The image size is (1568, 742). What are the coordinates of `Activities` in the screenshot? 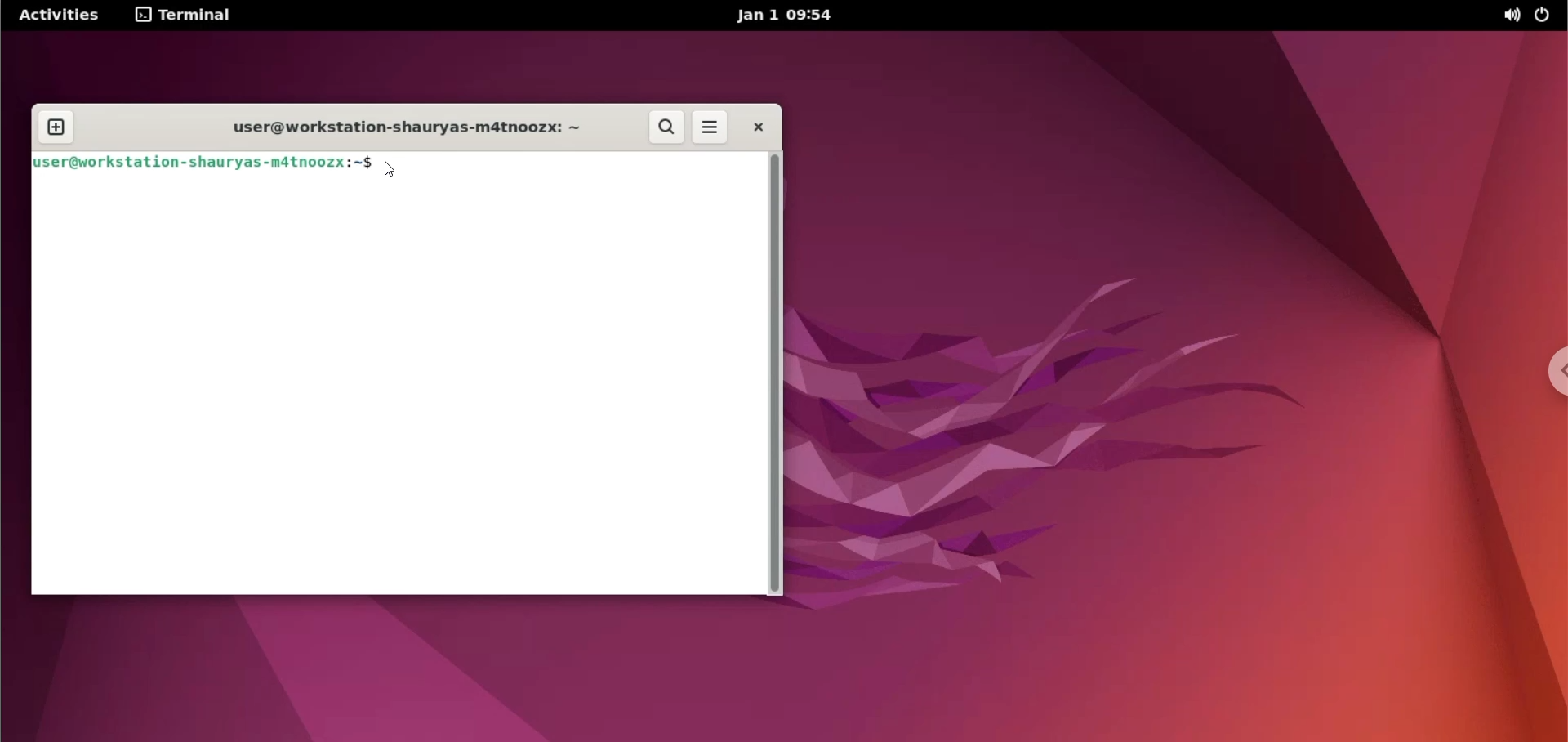 It's located at (57, 16).